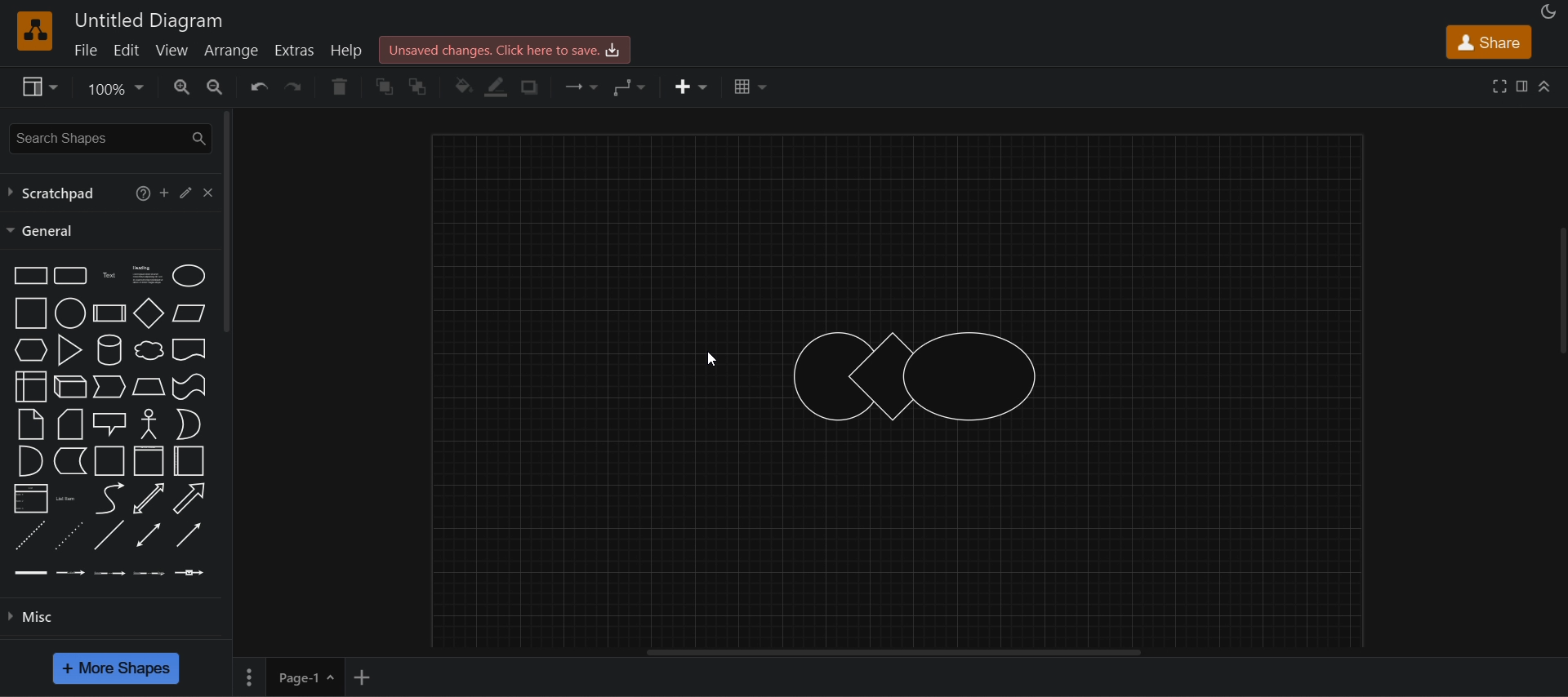  Describe the element at coordinates (149, 313) in the screenshot. I see `diamond` at that location.